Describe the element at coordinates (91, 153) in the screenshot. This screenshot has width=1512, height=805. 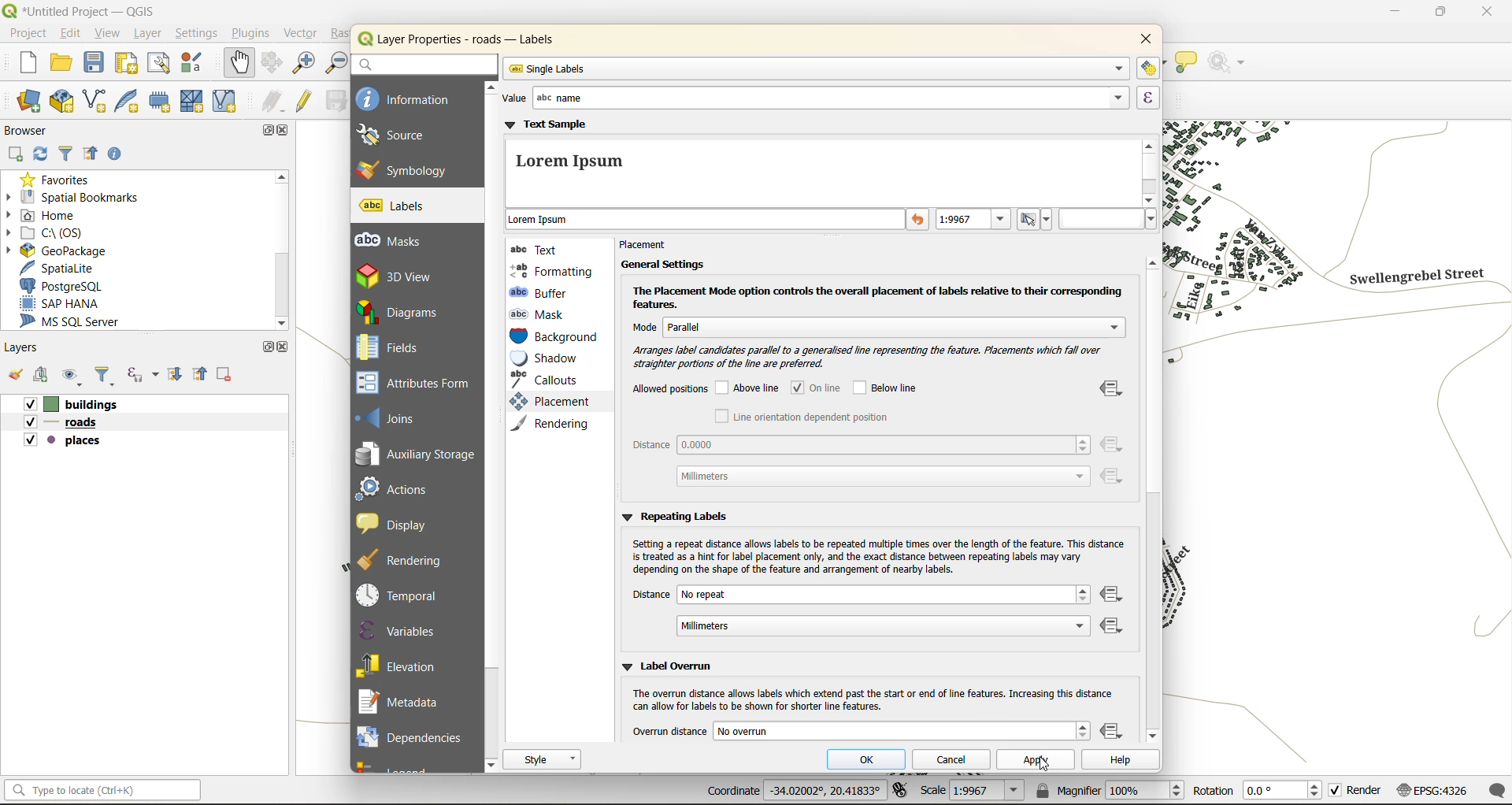
I see `collapse all` at that location.